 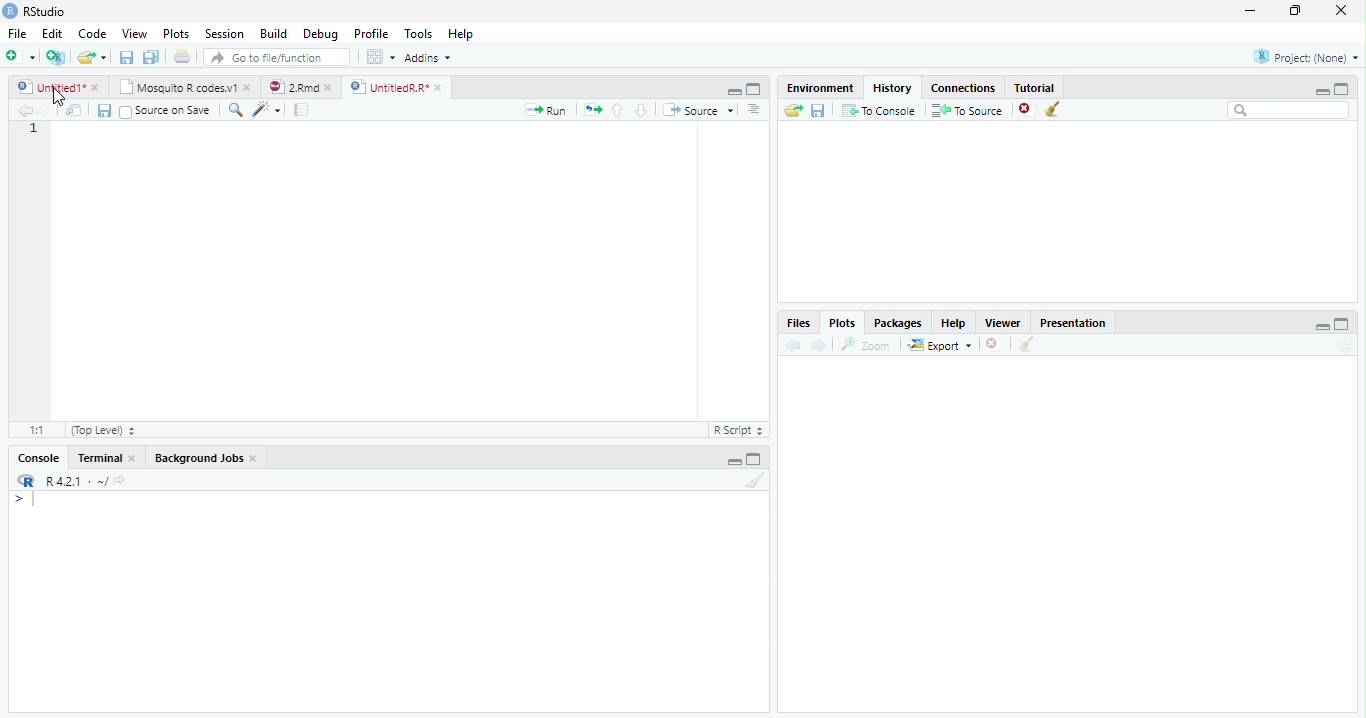 I want to click on Profile, so click(x=370, y=34).